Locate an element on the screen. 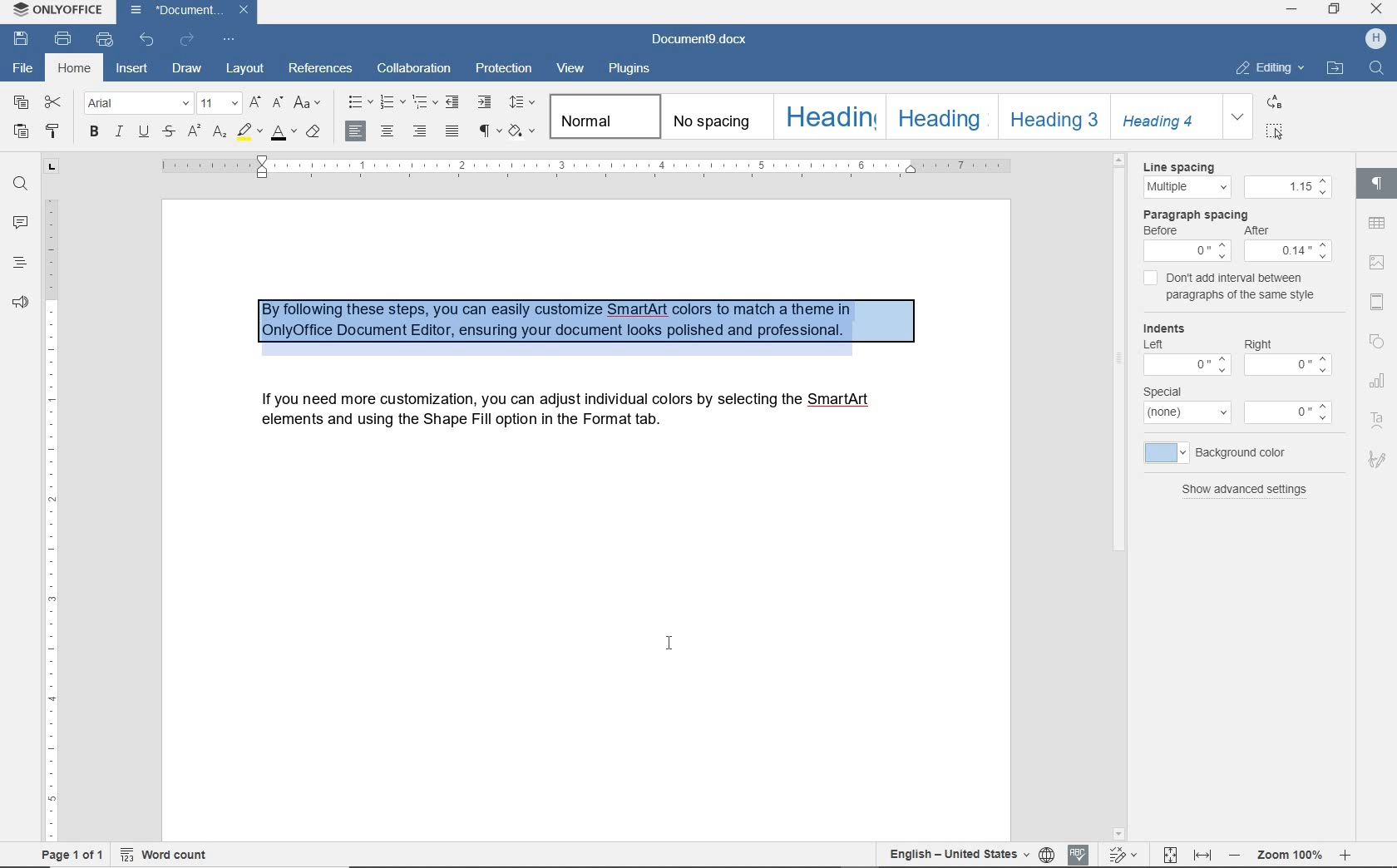  0" is located at coordinates (1295, 365).